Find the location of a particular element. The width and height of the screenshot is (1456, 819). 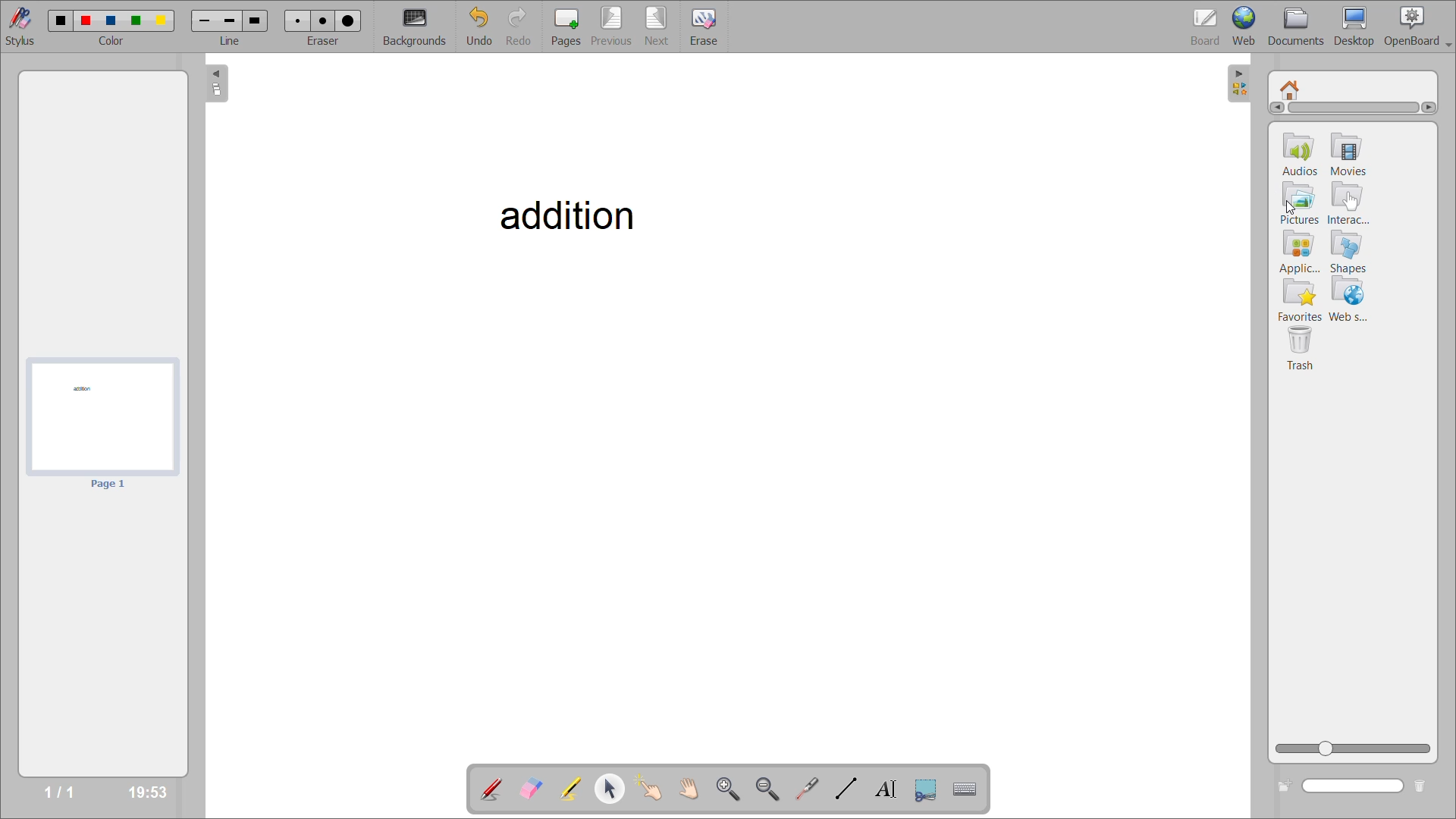

line is located at coordinates (231, 40).